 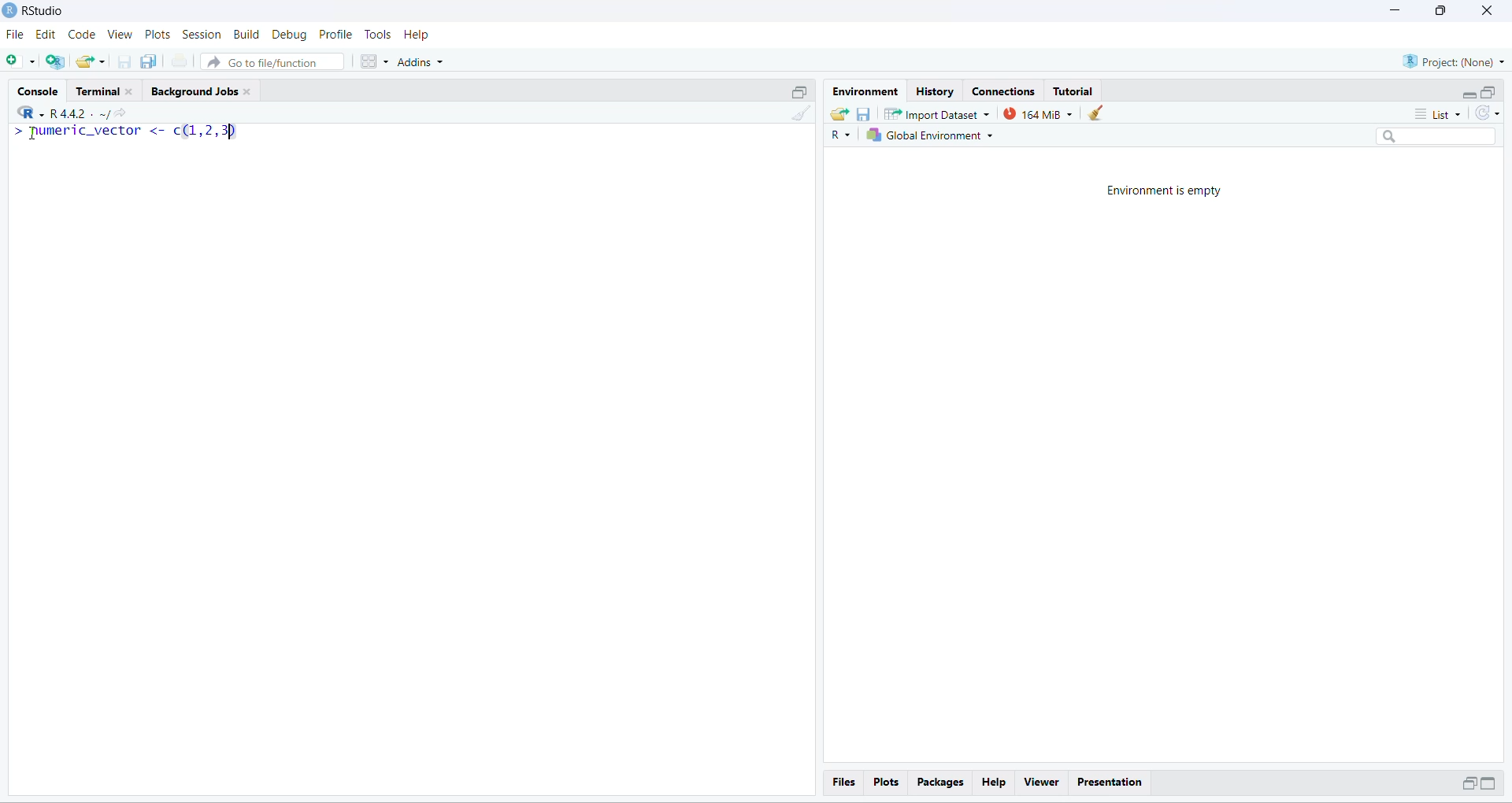 What do you see at coordinates (864, 91) in the screenshot?
I see `Environment.` at bounding box center [864, 91].